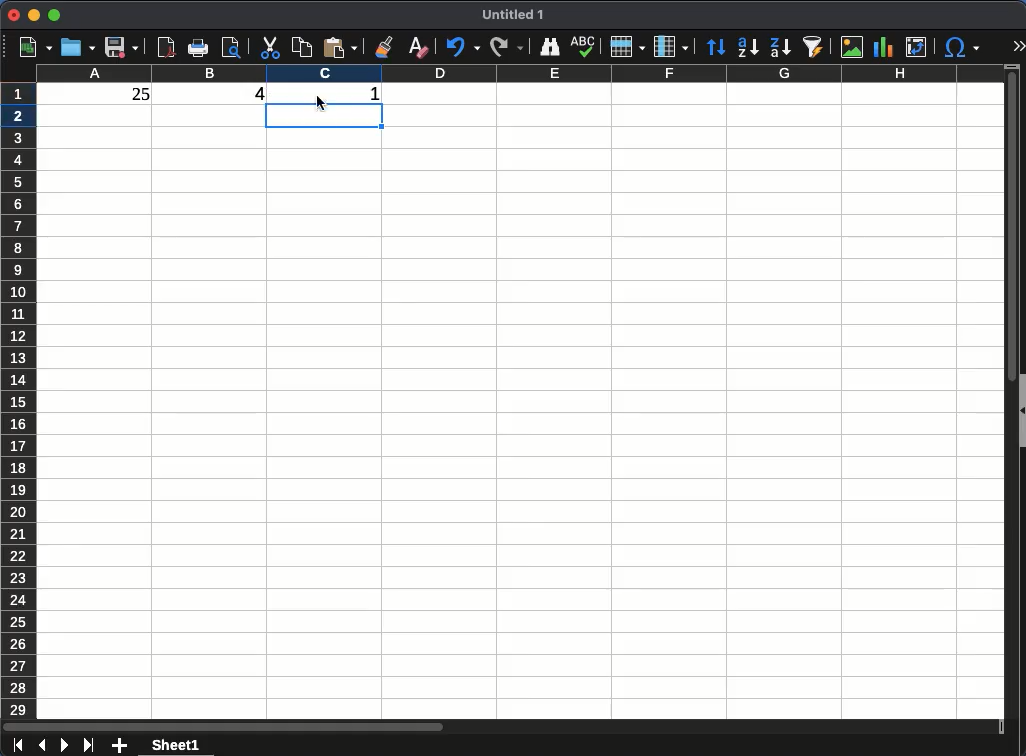 The width and height of the screenshot is (1026, 756). What do you see at coordinates (1019, 45) in the screenshot?
I see `expand` at bounding box center [1019, 45].